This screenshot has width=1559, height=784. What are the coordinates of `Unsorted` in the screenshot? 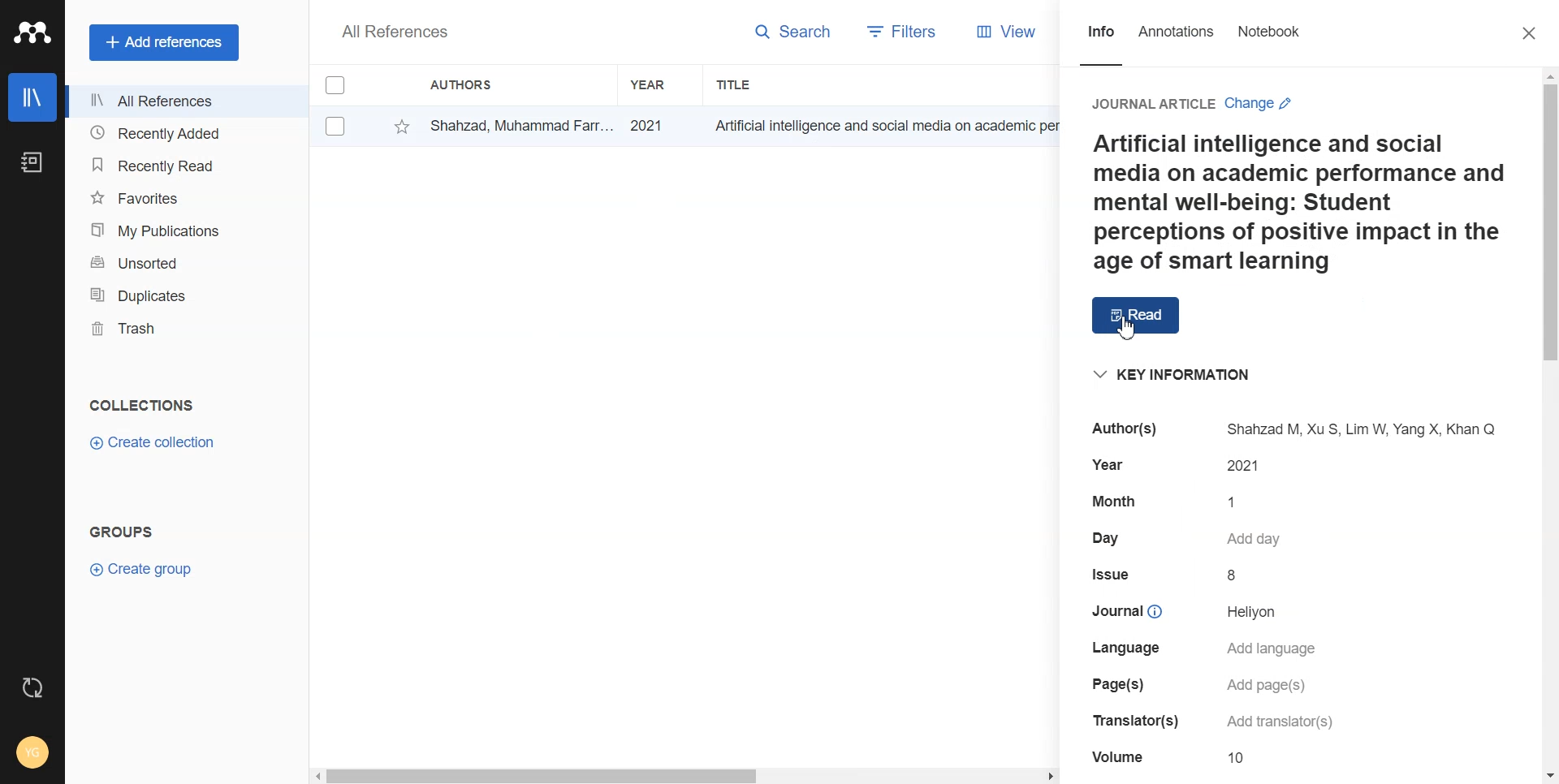 It's located at (182, 264).